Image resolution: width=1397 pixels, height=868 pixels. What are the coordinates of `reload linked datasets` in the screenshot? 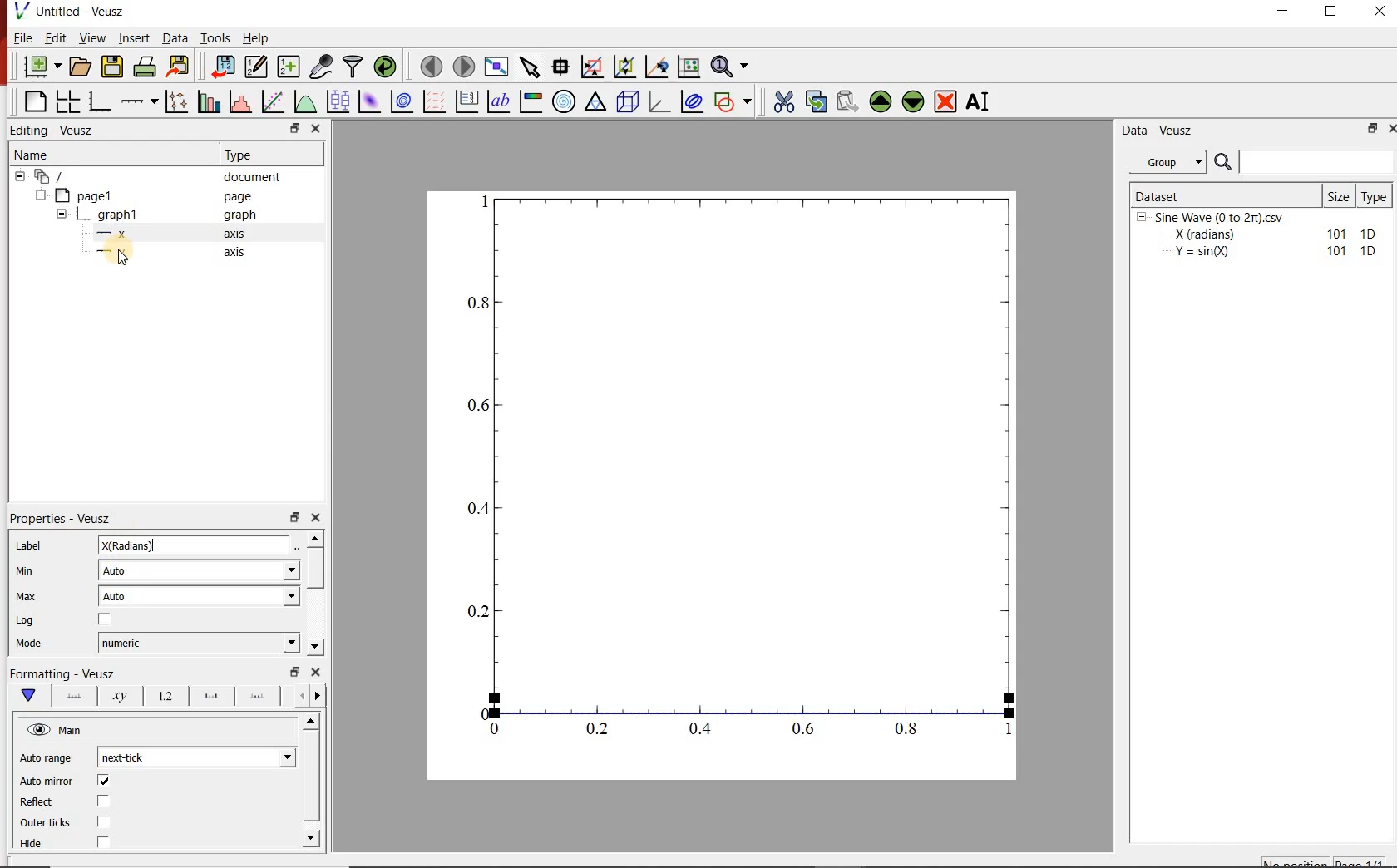 It's located at (388, 67).